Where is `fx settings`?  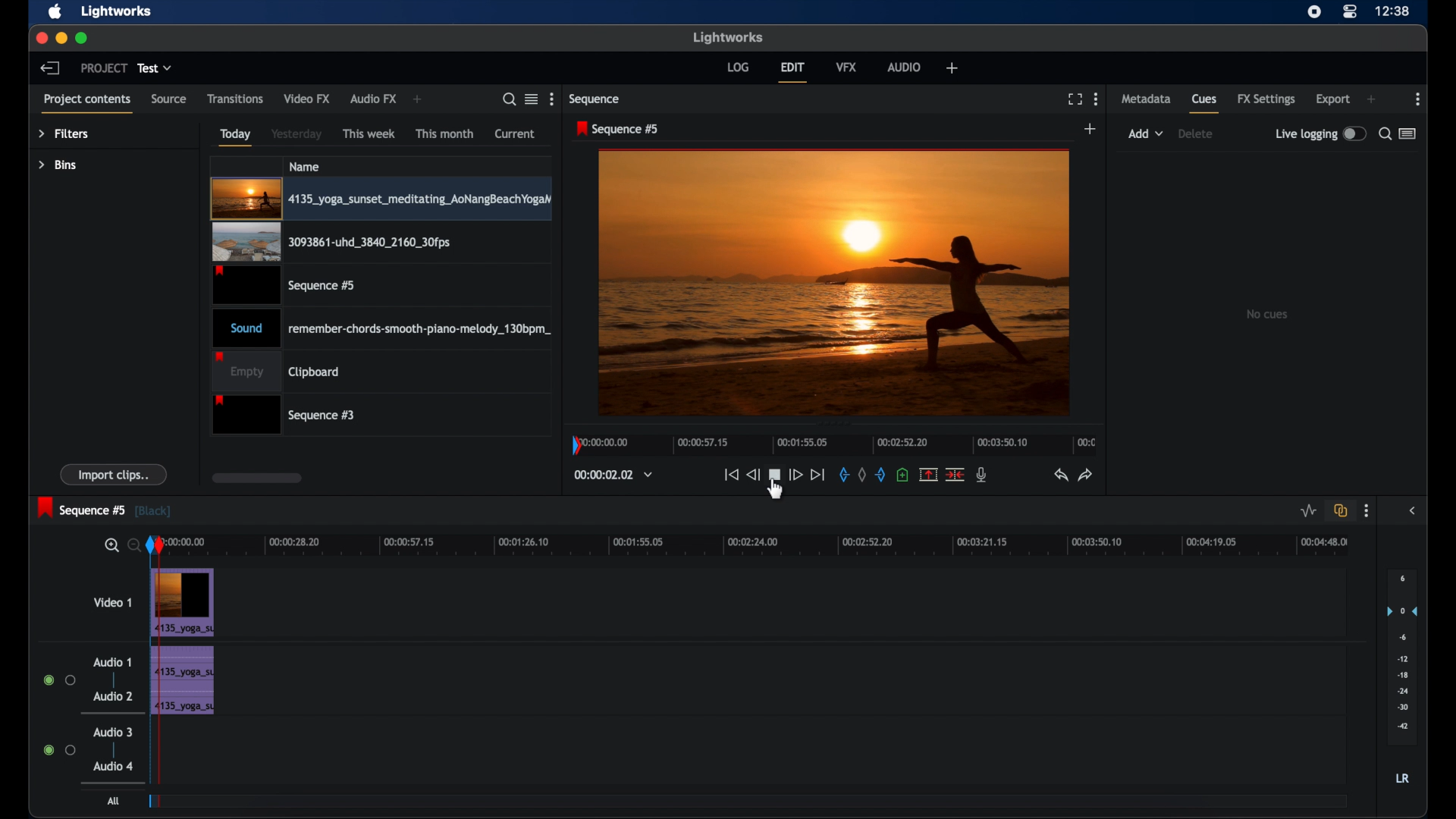 fx settings is located at coordinates (1266, 99).